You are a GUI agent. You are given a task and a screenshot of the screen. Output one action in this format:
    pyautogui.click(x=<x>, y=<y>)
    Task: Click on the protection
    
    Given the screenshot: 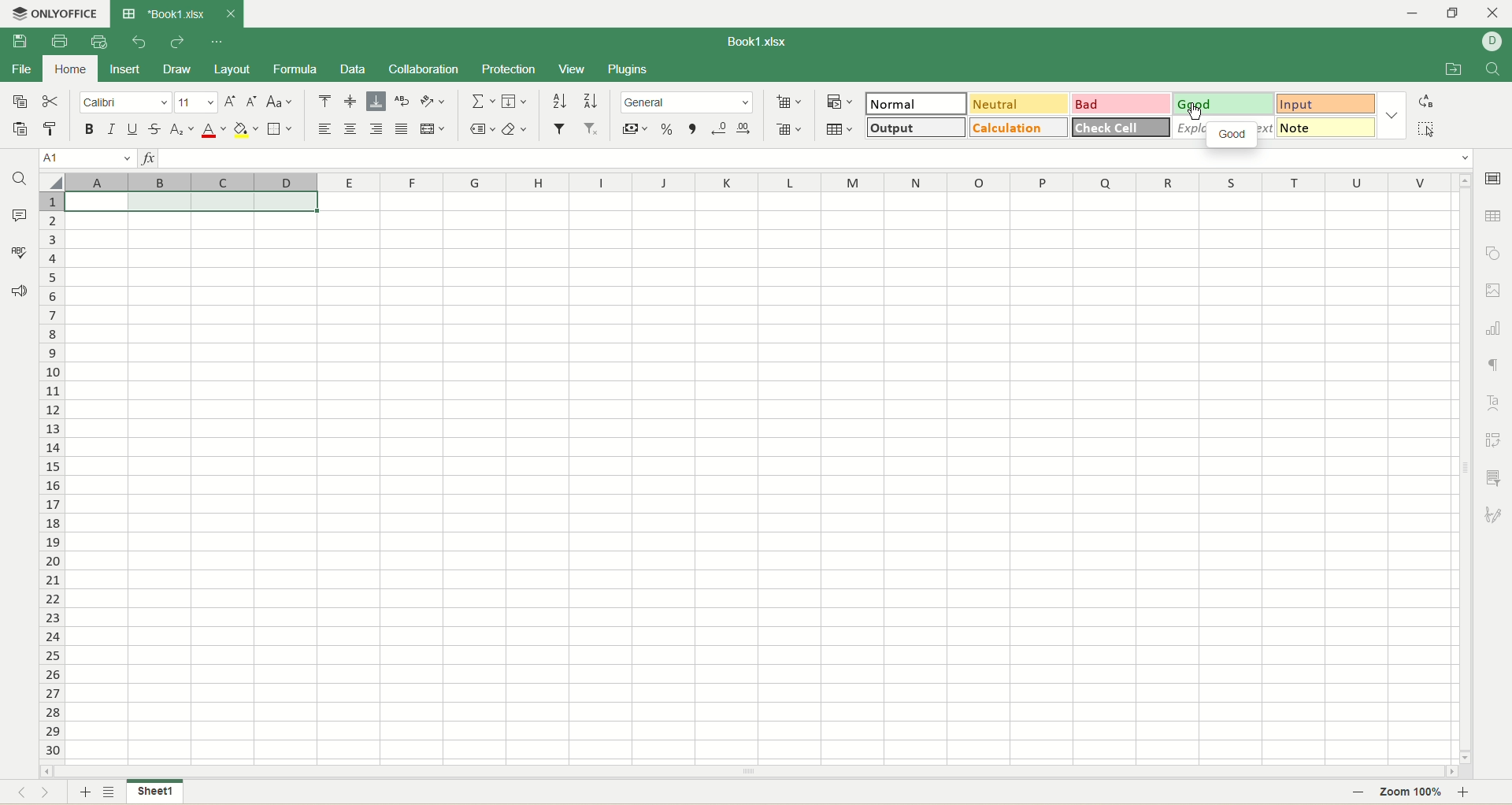 What is the action you would take?
    pyautogui.click(x=510, y=70)
    